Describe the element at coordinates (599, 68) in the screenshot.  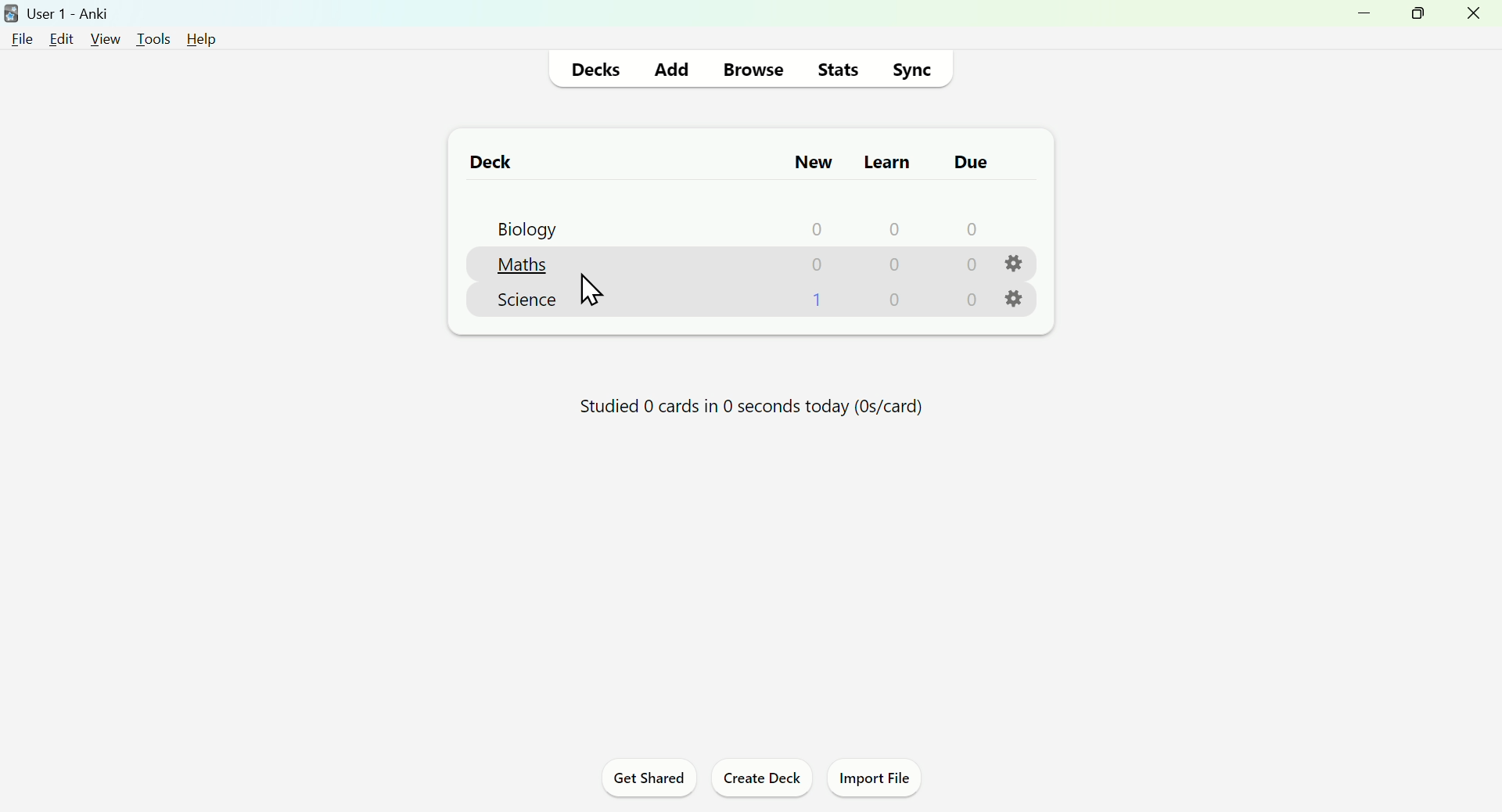
I see `Decks` at that location.